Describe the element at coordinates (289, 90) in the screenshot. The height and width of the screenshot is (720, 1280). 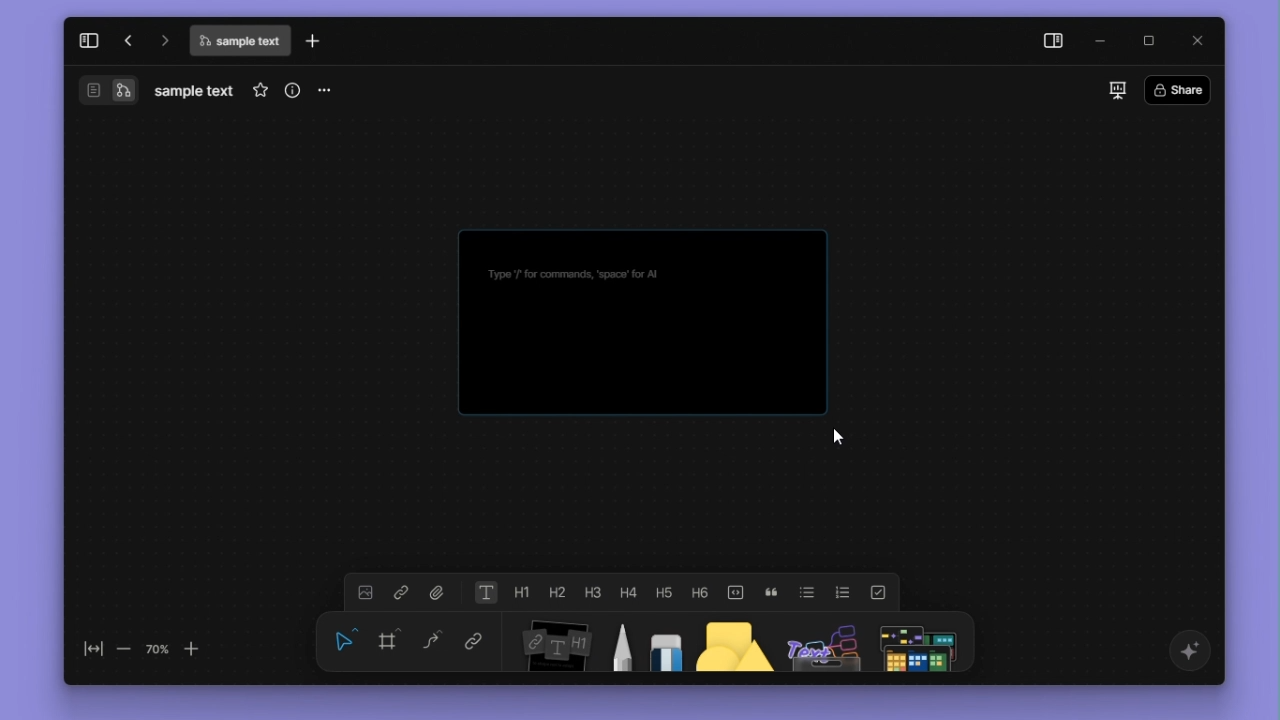
I see `more info` at that location.